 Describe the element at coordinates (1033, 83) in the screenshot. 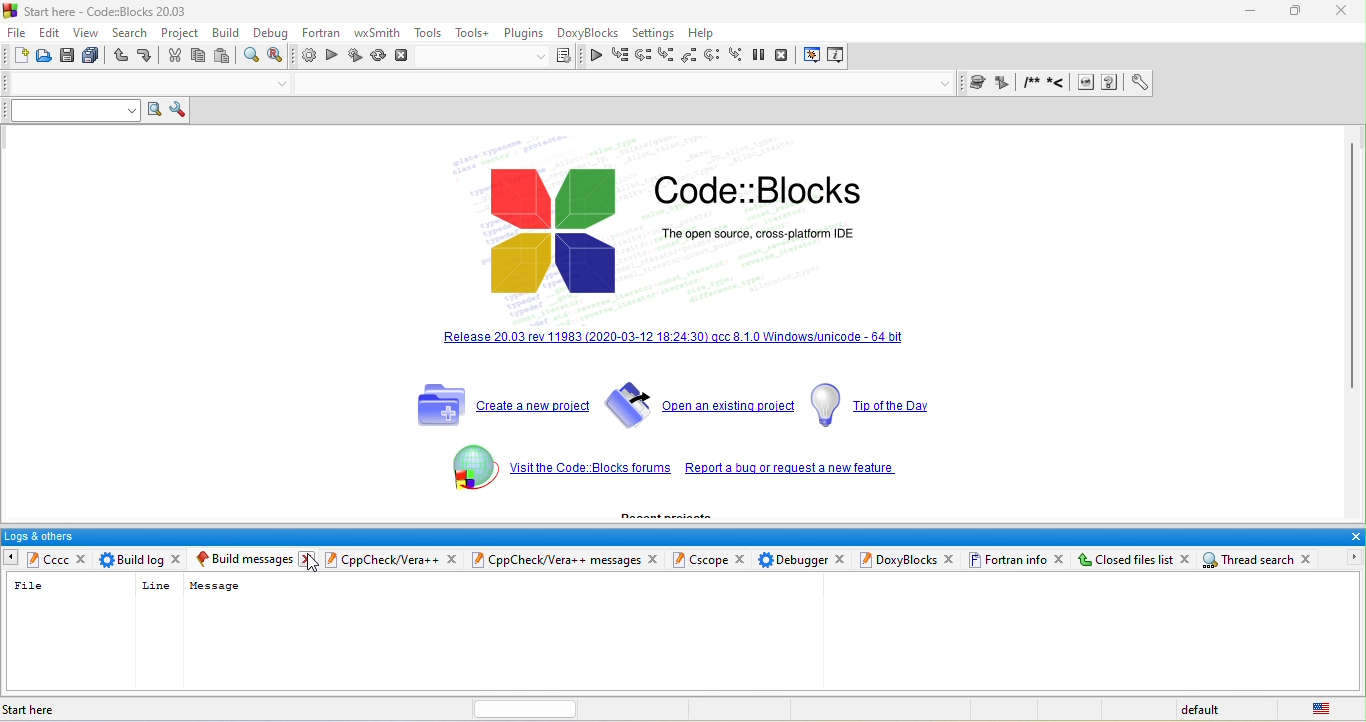

I see `block comment` at that location.